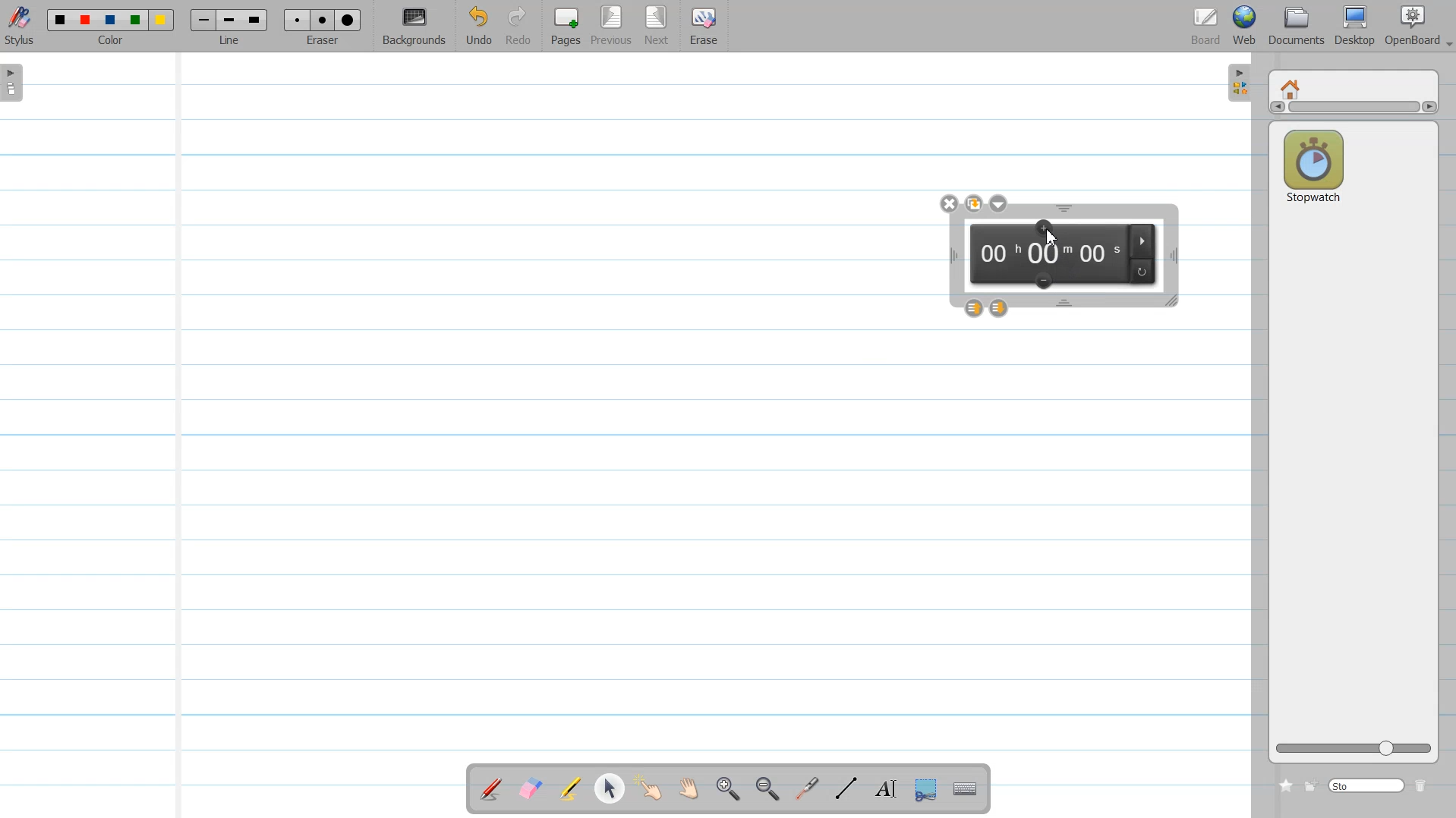  I want to click on Drop down box, so click(999, 203).